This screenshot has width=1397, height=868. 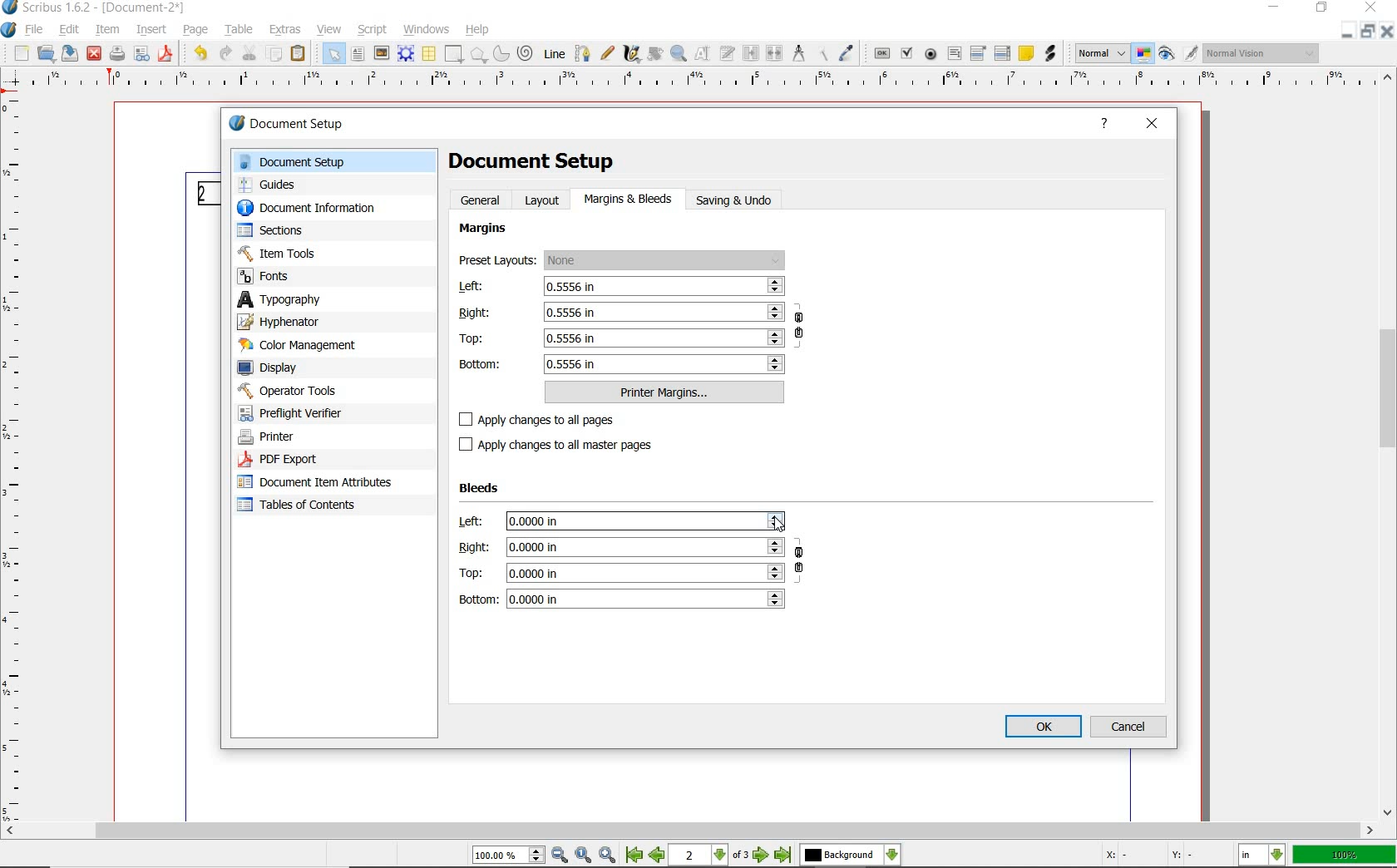 I want to click on file, so click(x=36, y=31).